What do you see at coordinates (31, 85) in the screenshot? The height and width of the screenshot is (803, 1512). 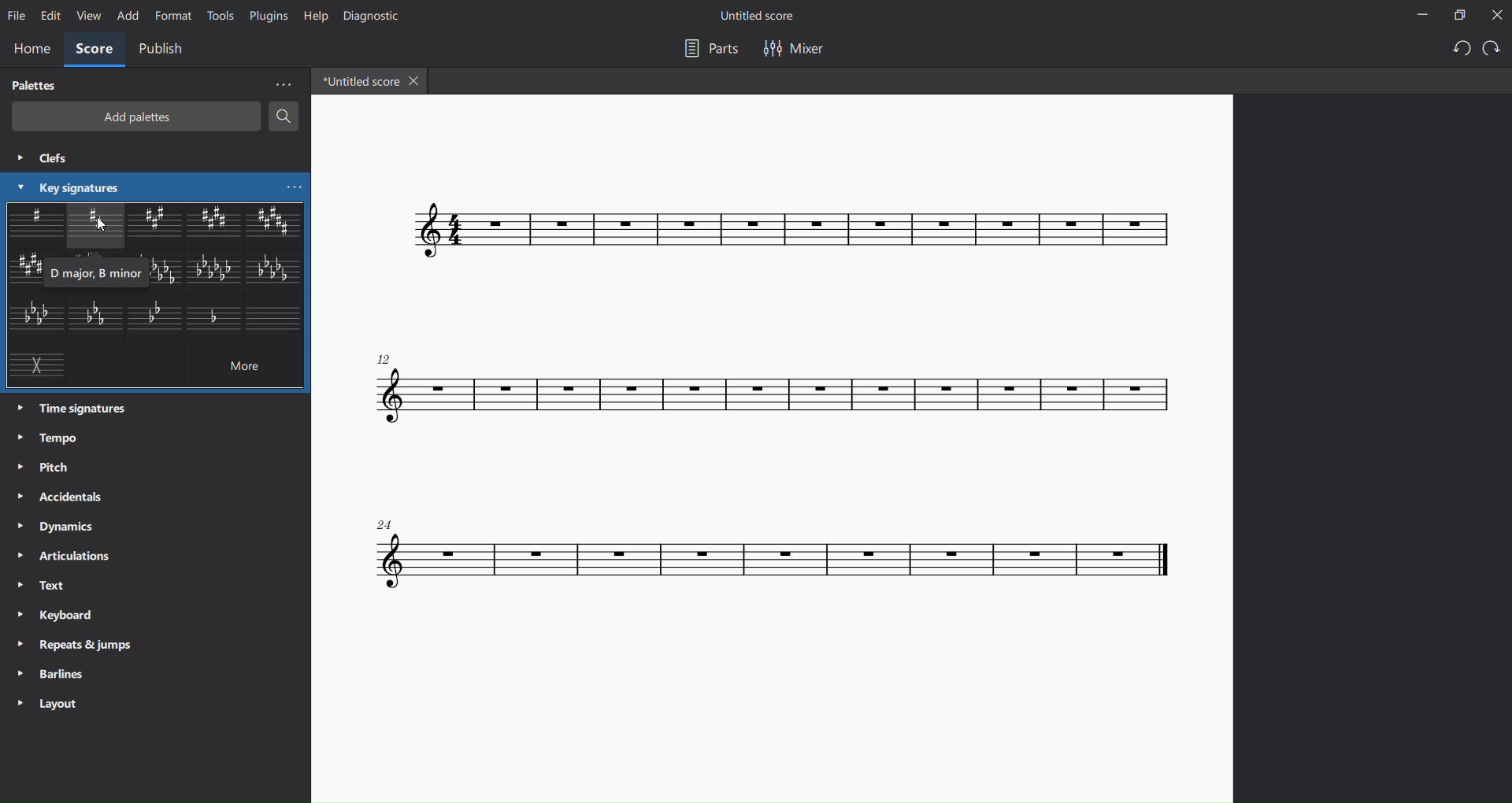 I see `palettes` at bounding box center [31, 85].